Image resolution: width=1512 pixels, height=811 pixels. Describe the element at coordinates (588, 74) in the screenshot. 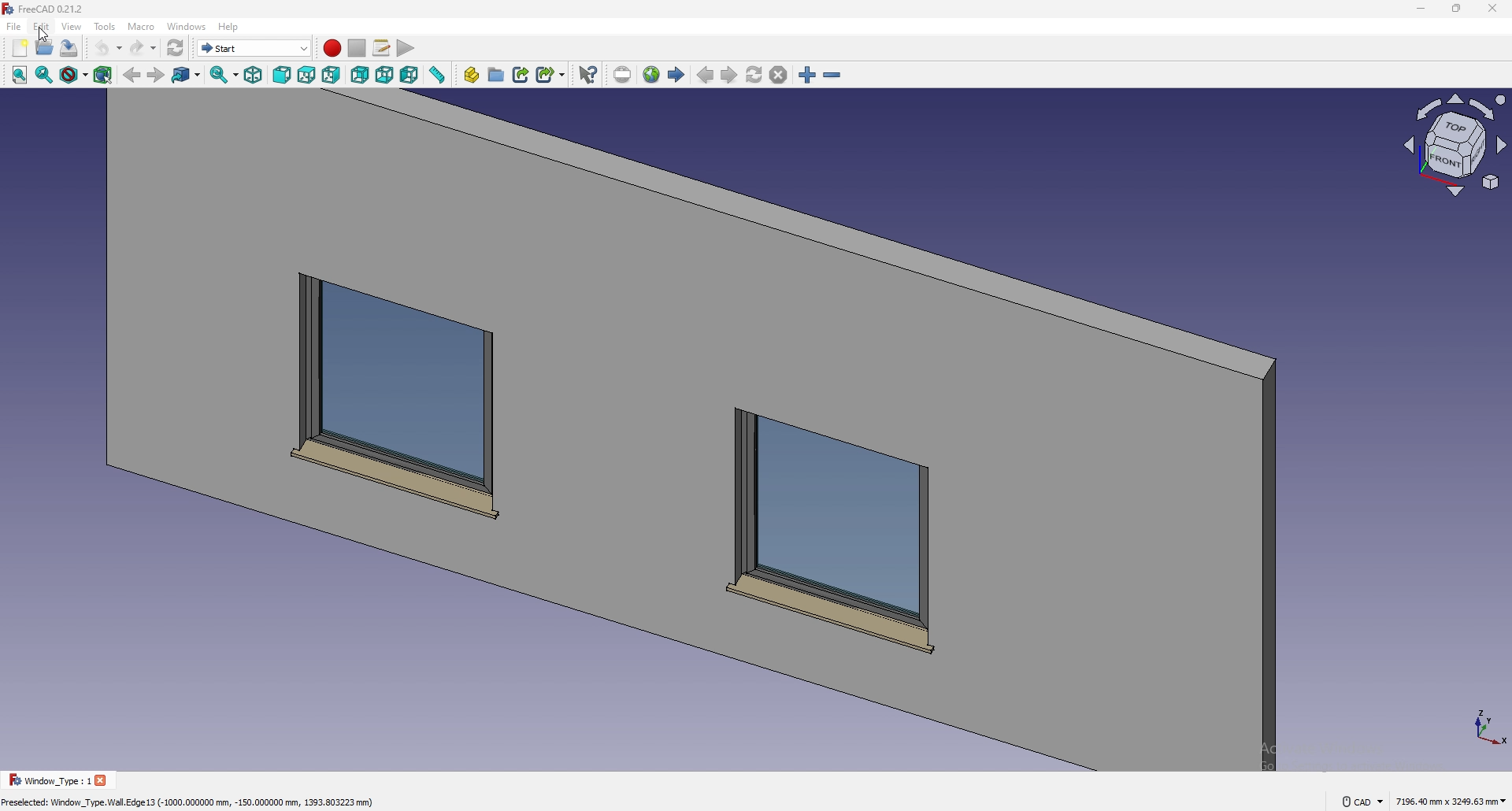

I see `what's this?` at that location.